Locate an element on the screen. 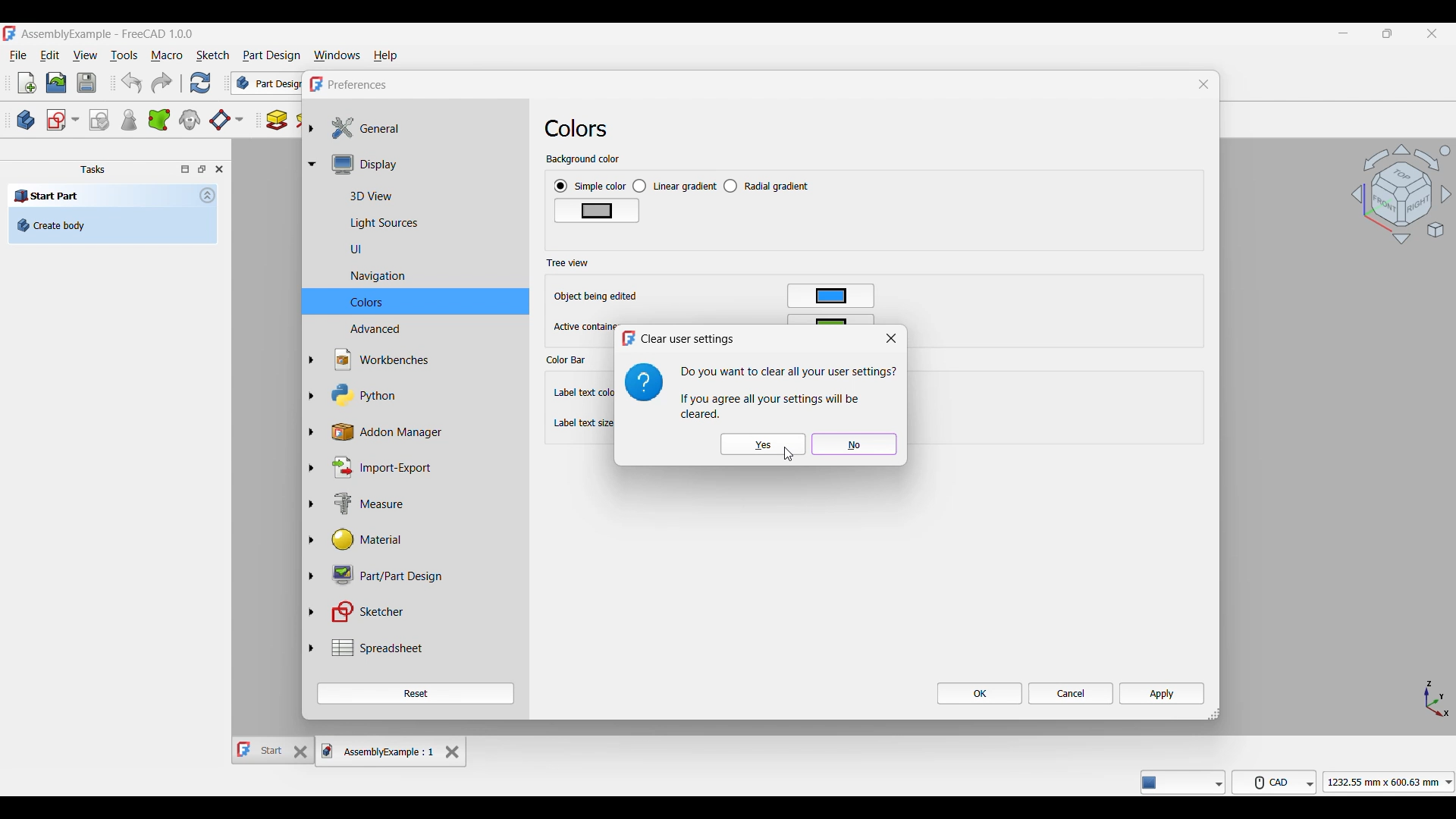 This screenshot has height=819, width=1456. Color Bar is located at coordinates (566, 360).